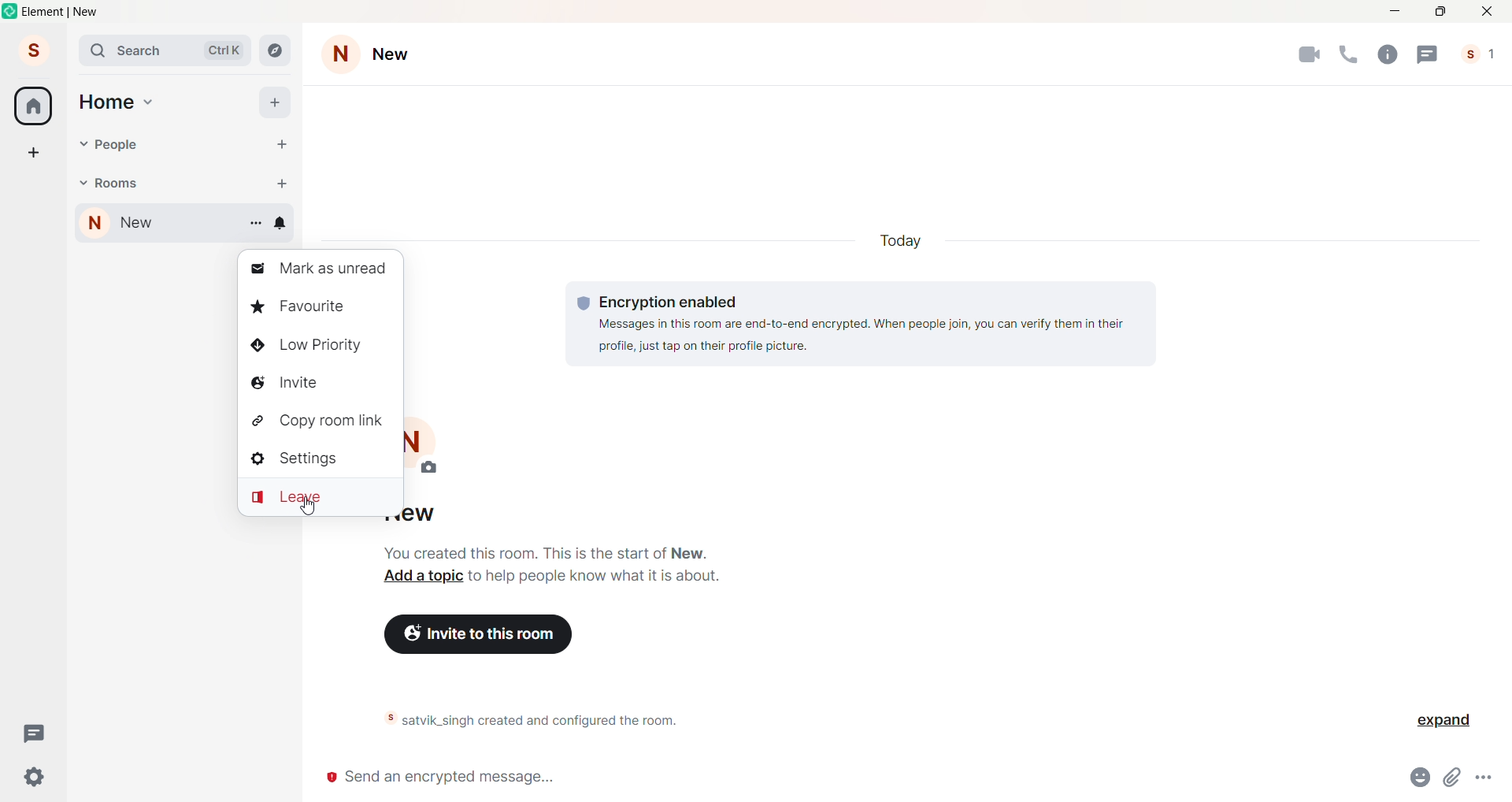  I want to click on Add, so click(275, 104).